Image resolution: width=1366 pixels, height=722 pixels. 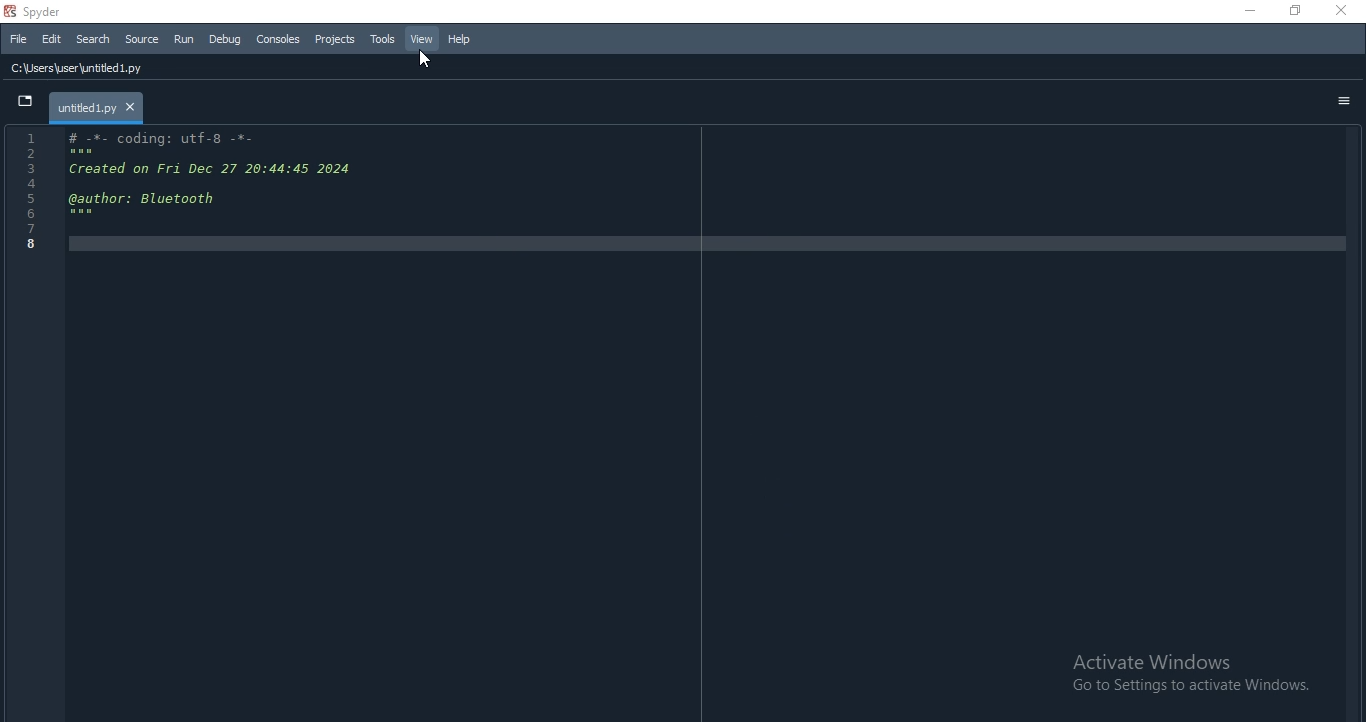 What do you see at coordinates (26, 104) in the screenshot?
I see `dropdown` at bounding box center [26, 104].